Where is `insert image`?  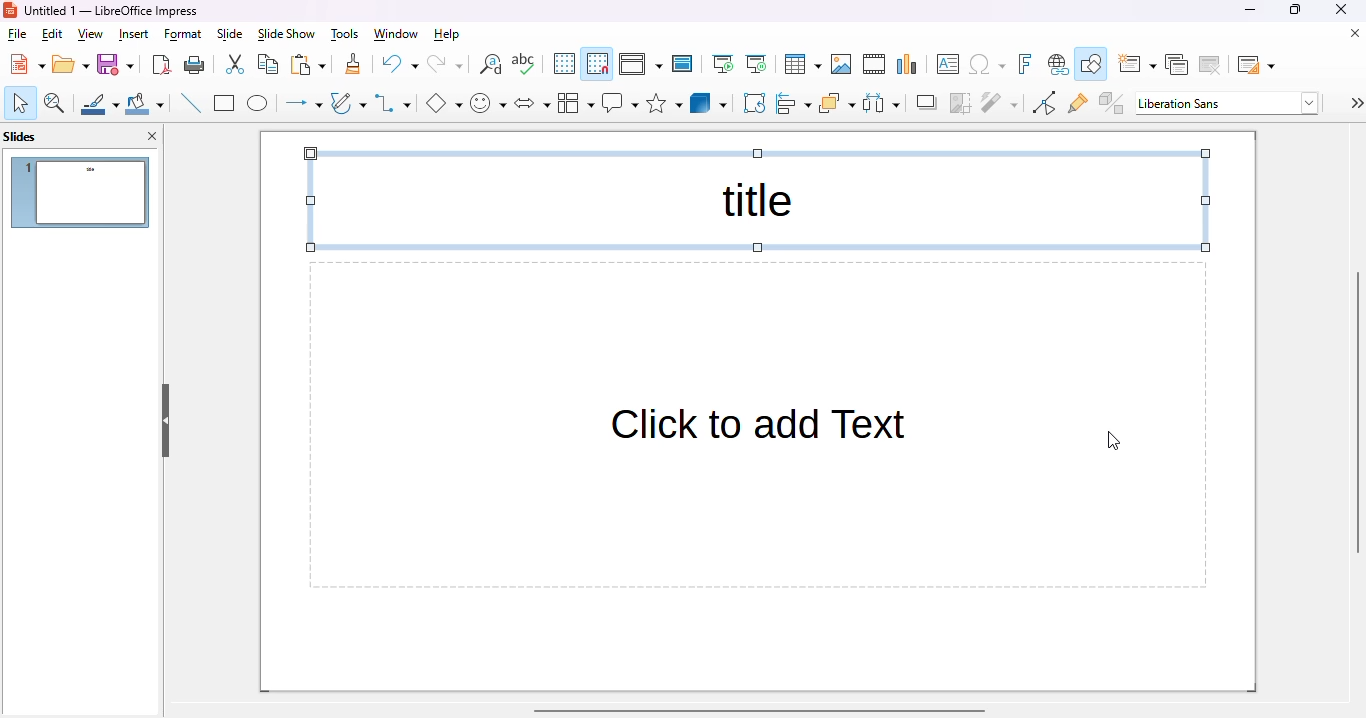
insert image is located at coordinates (841, 64).